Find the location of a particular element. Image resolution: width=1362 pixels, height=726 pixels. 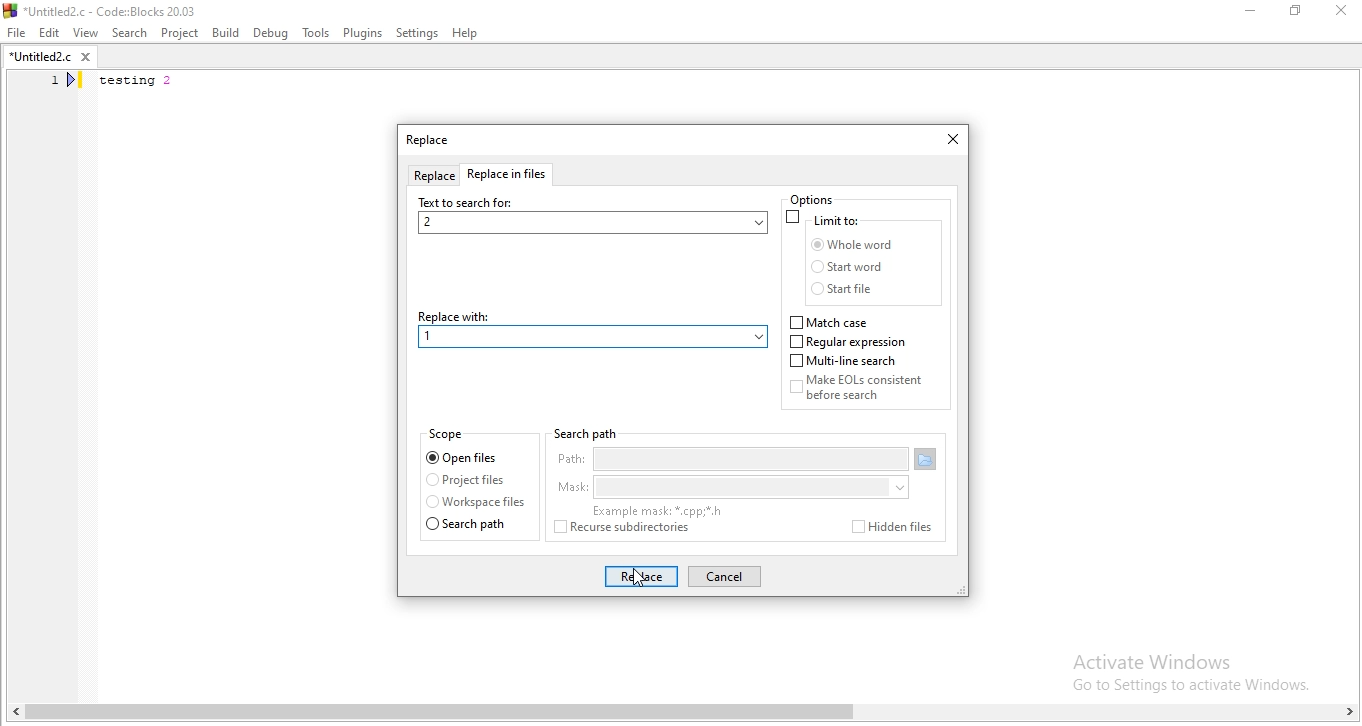

1 is located at coordinates (435, 337).